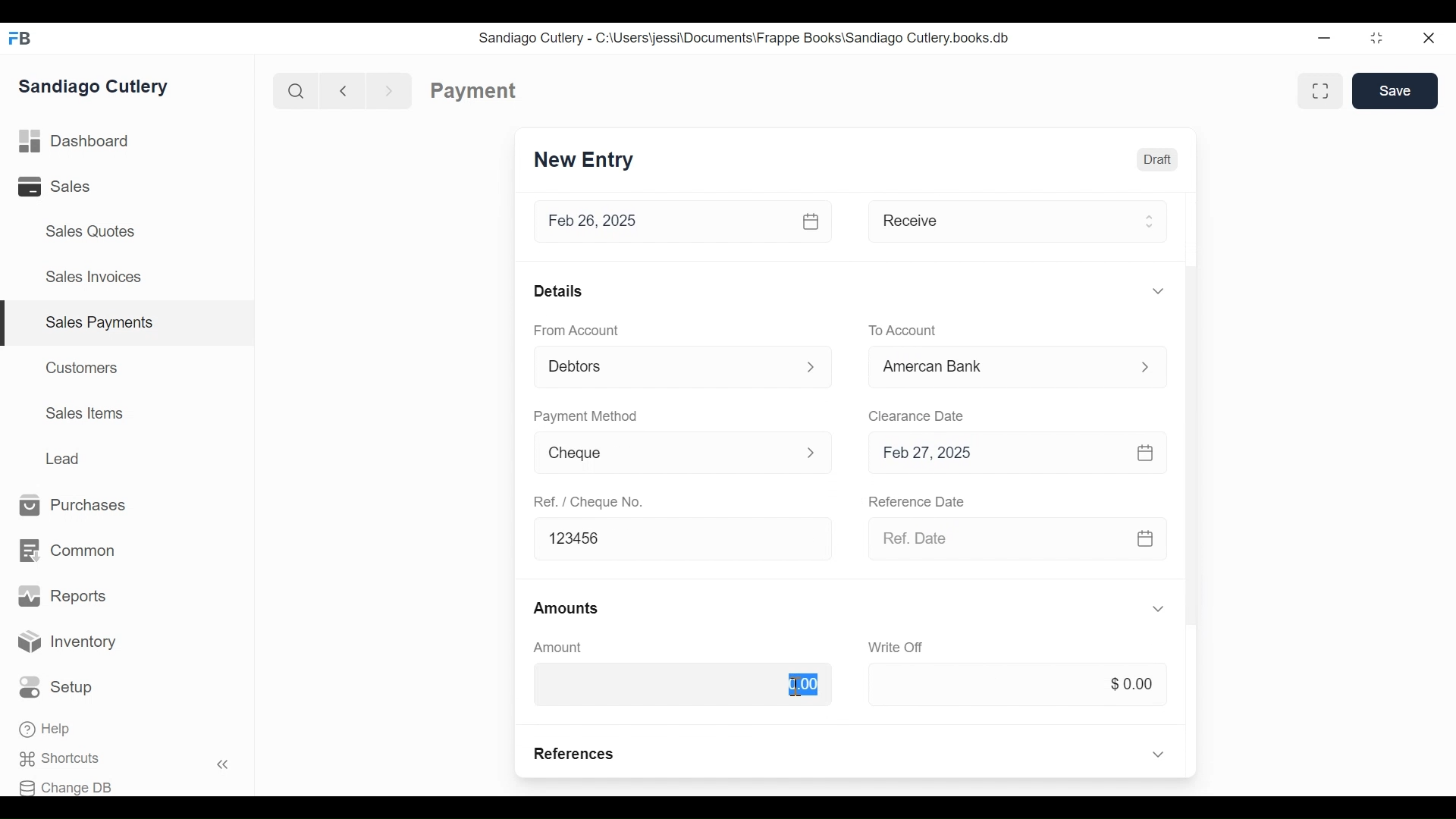 The height and width of the screenshot is (819, 1456). I want to click on Feb 27, 2025, so click(995, 452).